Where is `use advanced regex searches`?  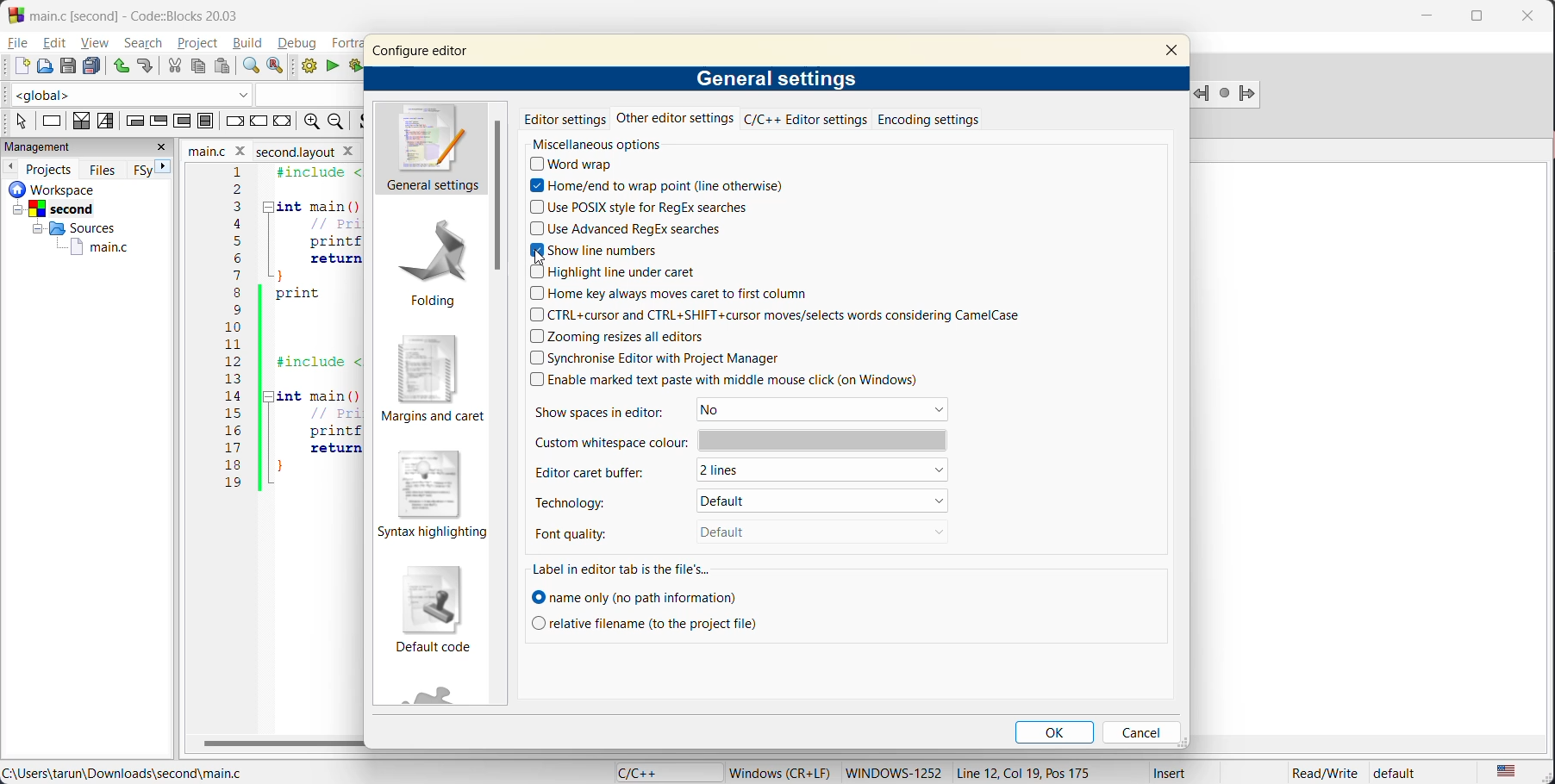 use advanced regex searches is located at coordinates (627, 227).